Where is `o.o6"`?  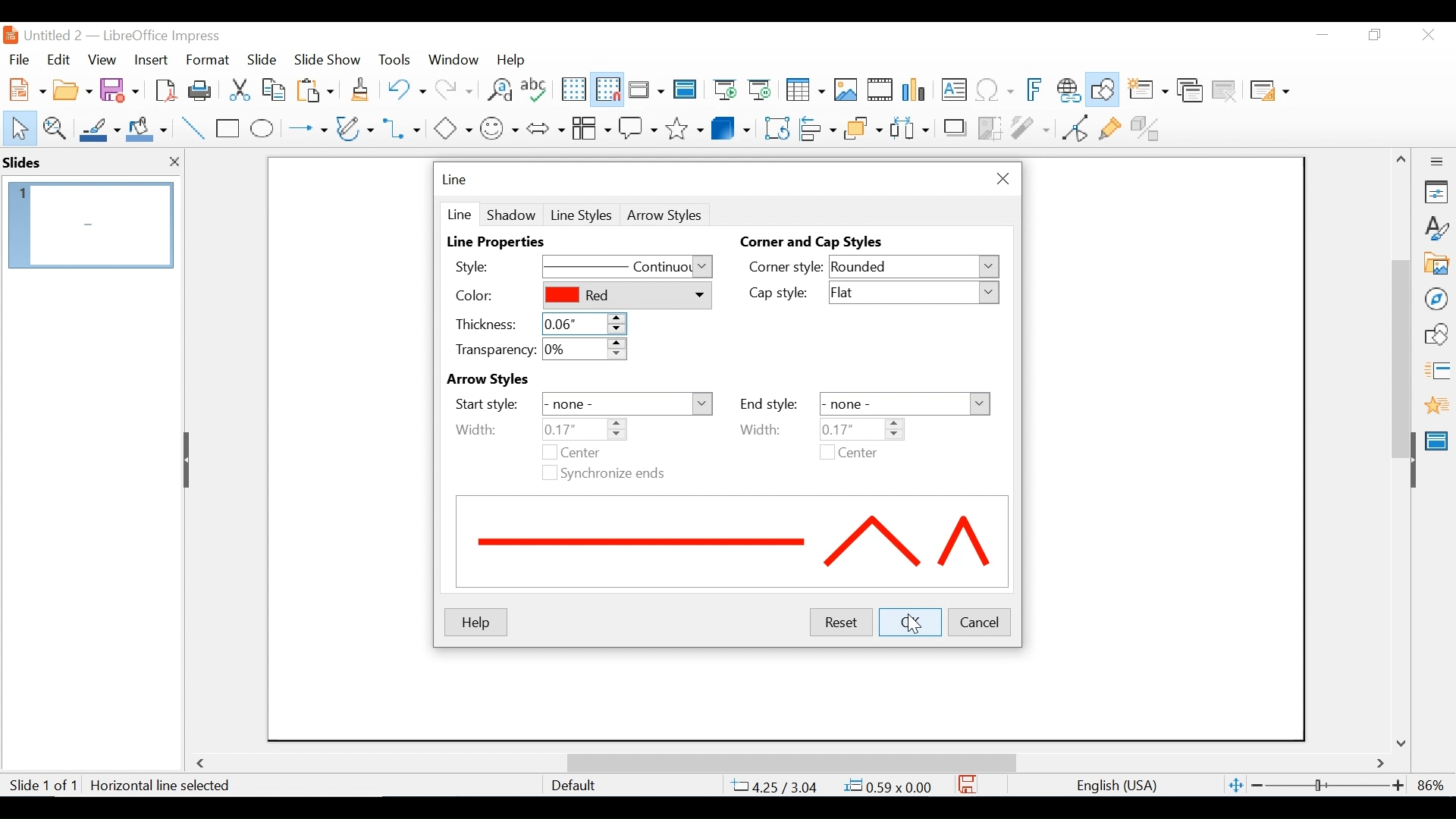 o.o6" is located at coordinates (582, 324).